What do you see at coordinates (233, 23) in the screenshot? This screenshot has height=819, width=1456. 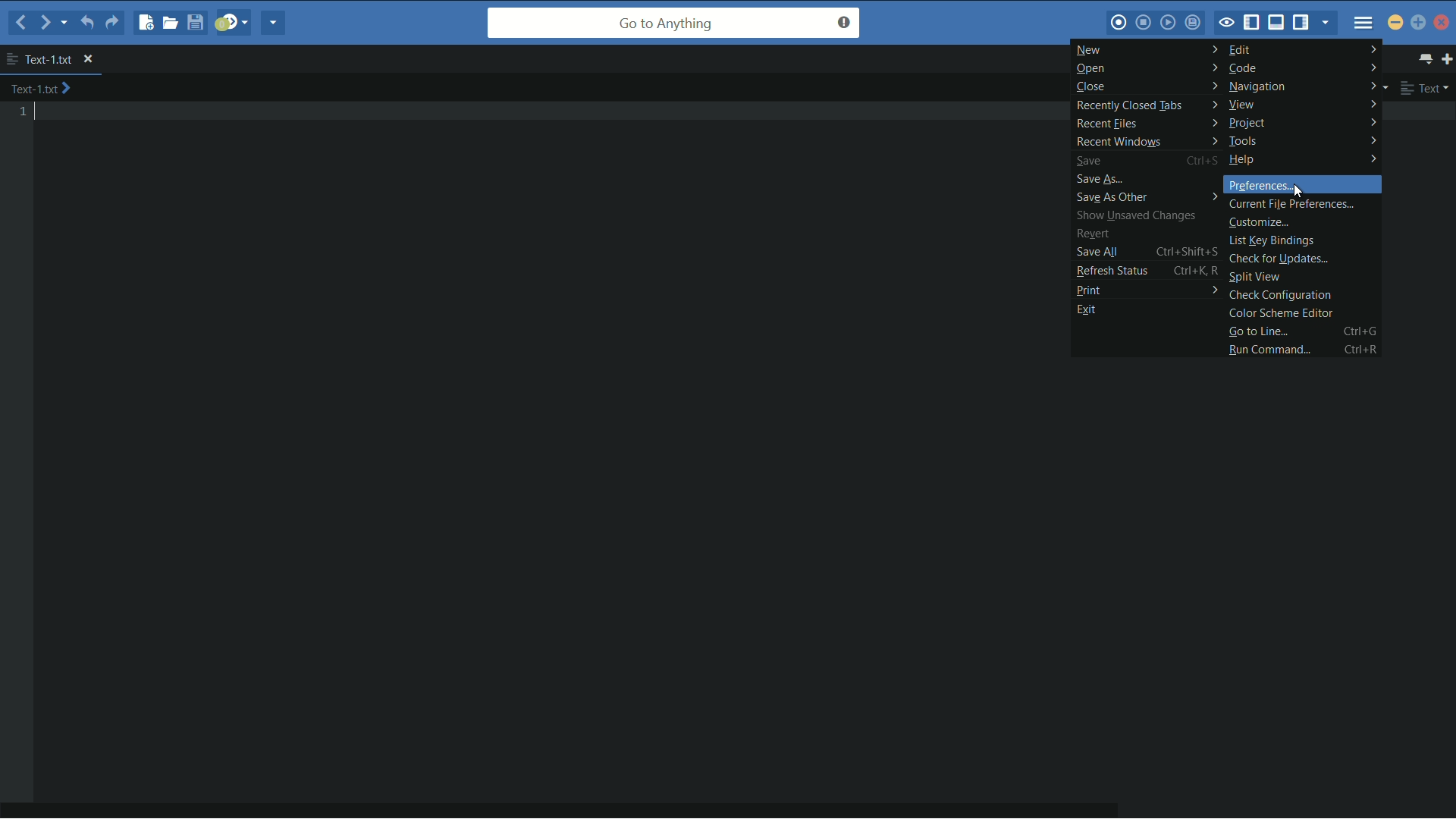 I see `jump to next syntax correcting result` at bounding box center [233, 23].